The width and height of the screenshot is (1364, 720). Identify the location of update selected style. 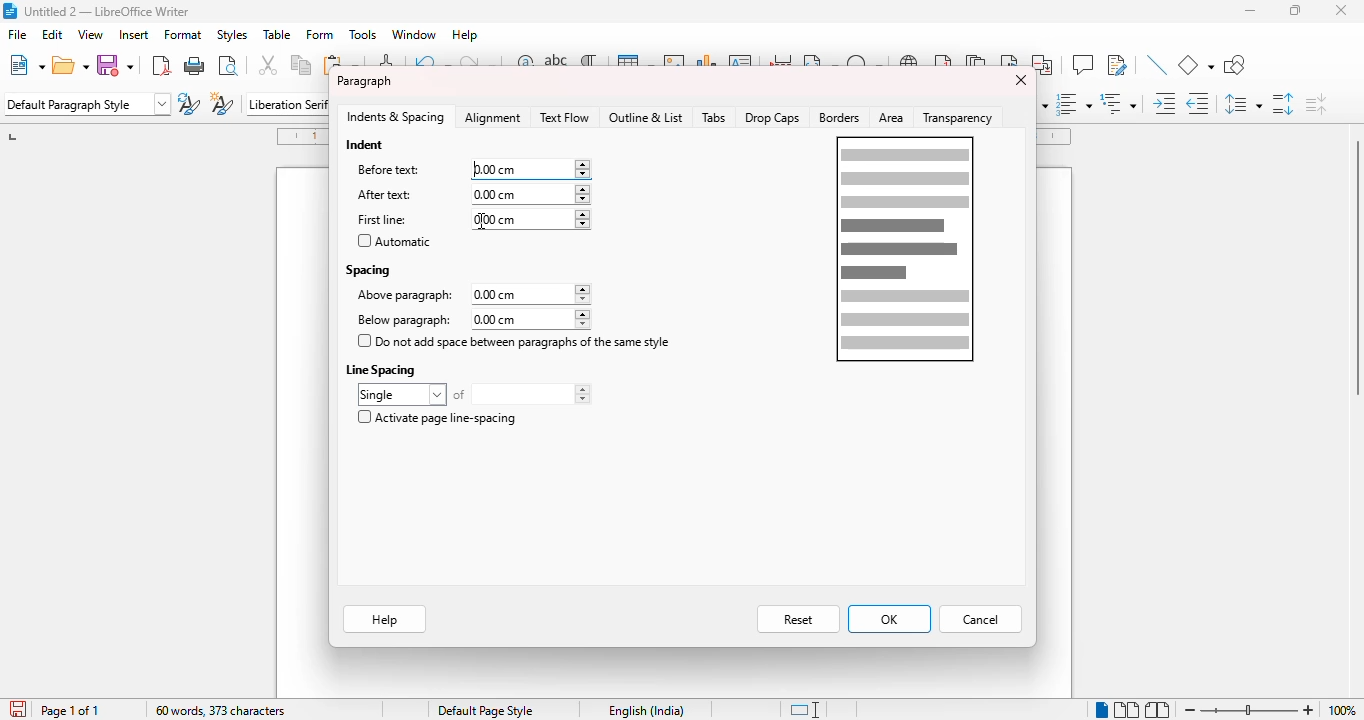
(189, 103).